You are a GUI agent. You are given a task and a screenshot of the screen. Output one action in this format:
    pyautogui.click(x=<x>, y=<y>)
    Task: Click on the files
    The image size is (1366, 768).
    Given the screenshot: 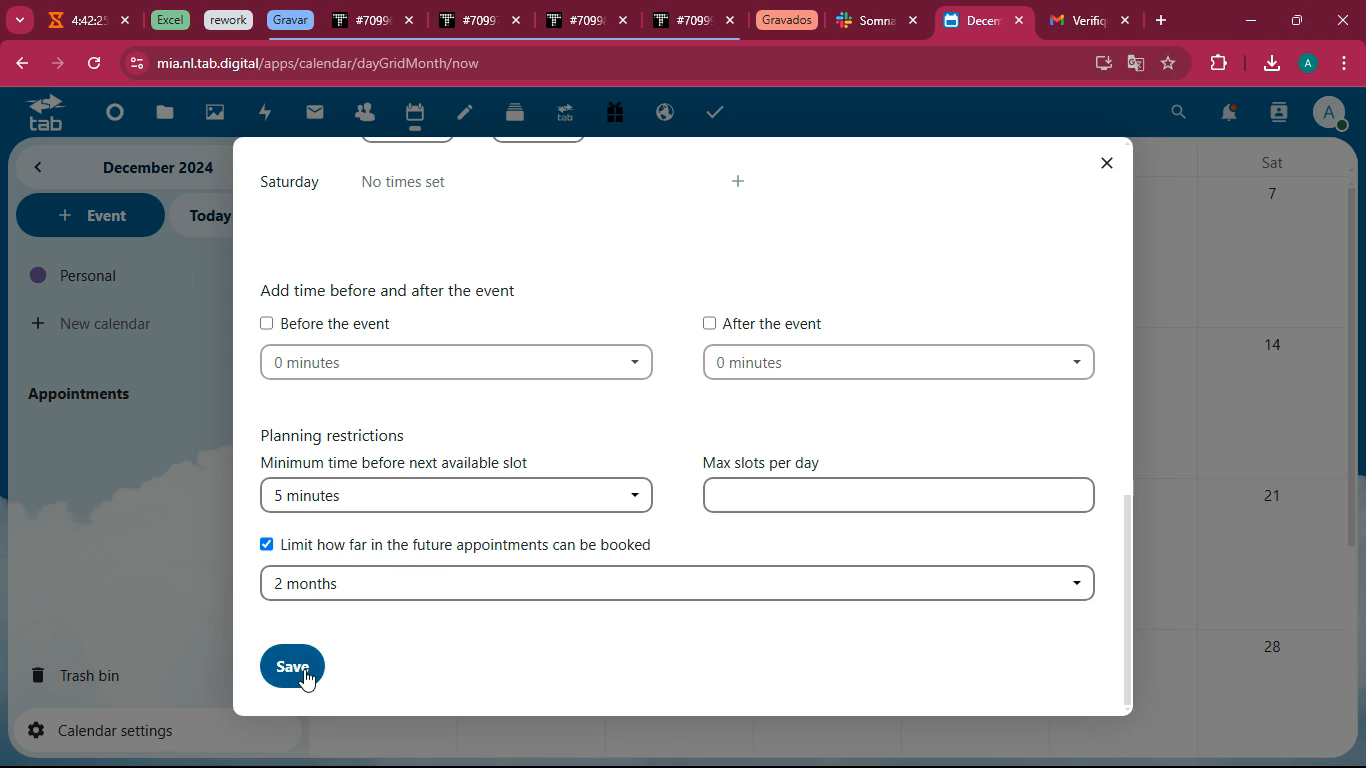 What is the action you would take?
    pyautogui.click(x=161, y=114)
    